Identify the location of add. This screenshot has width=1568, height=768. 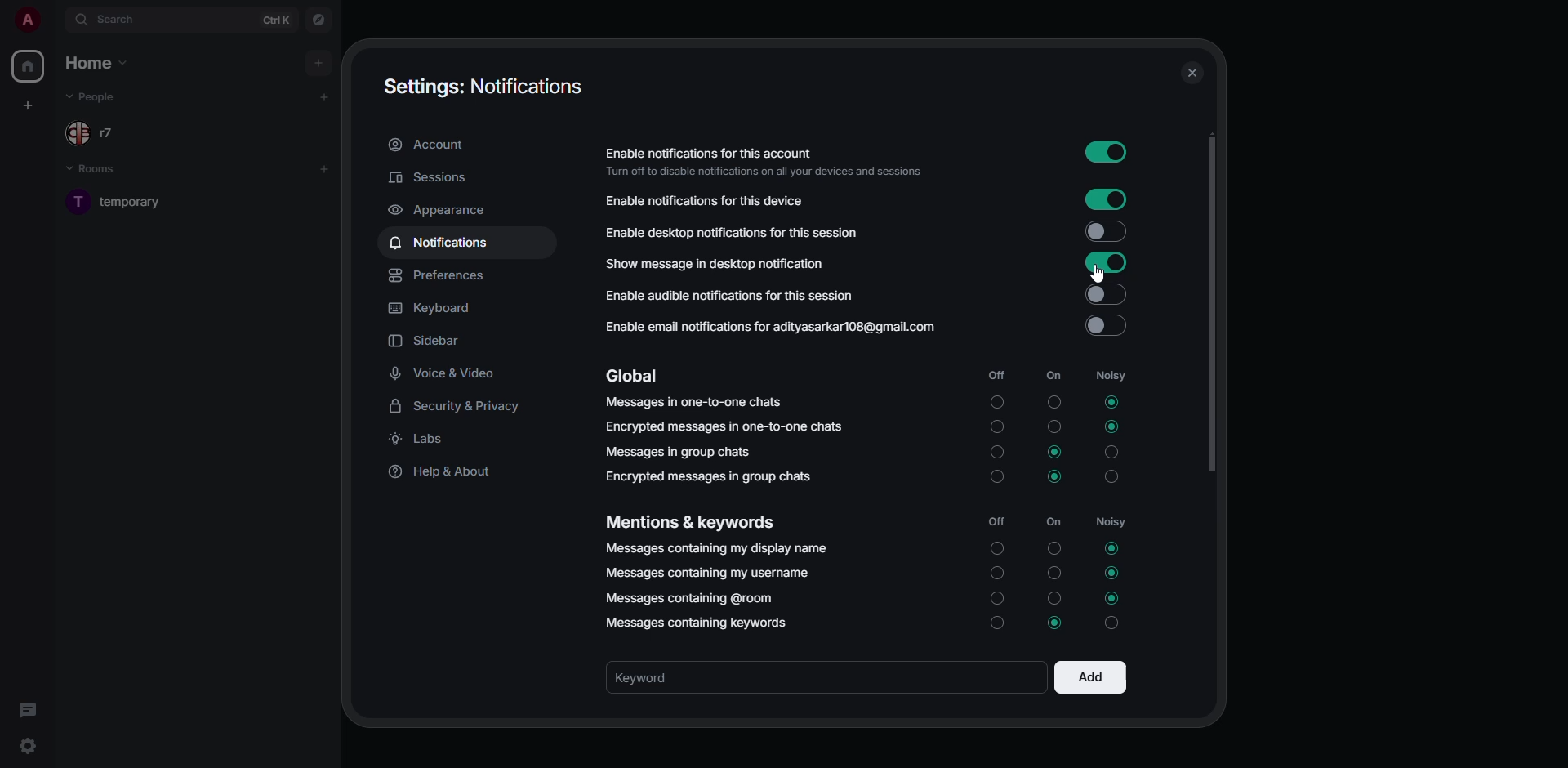
(319, 60).